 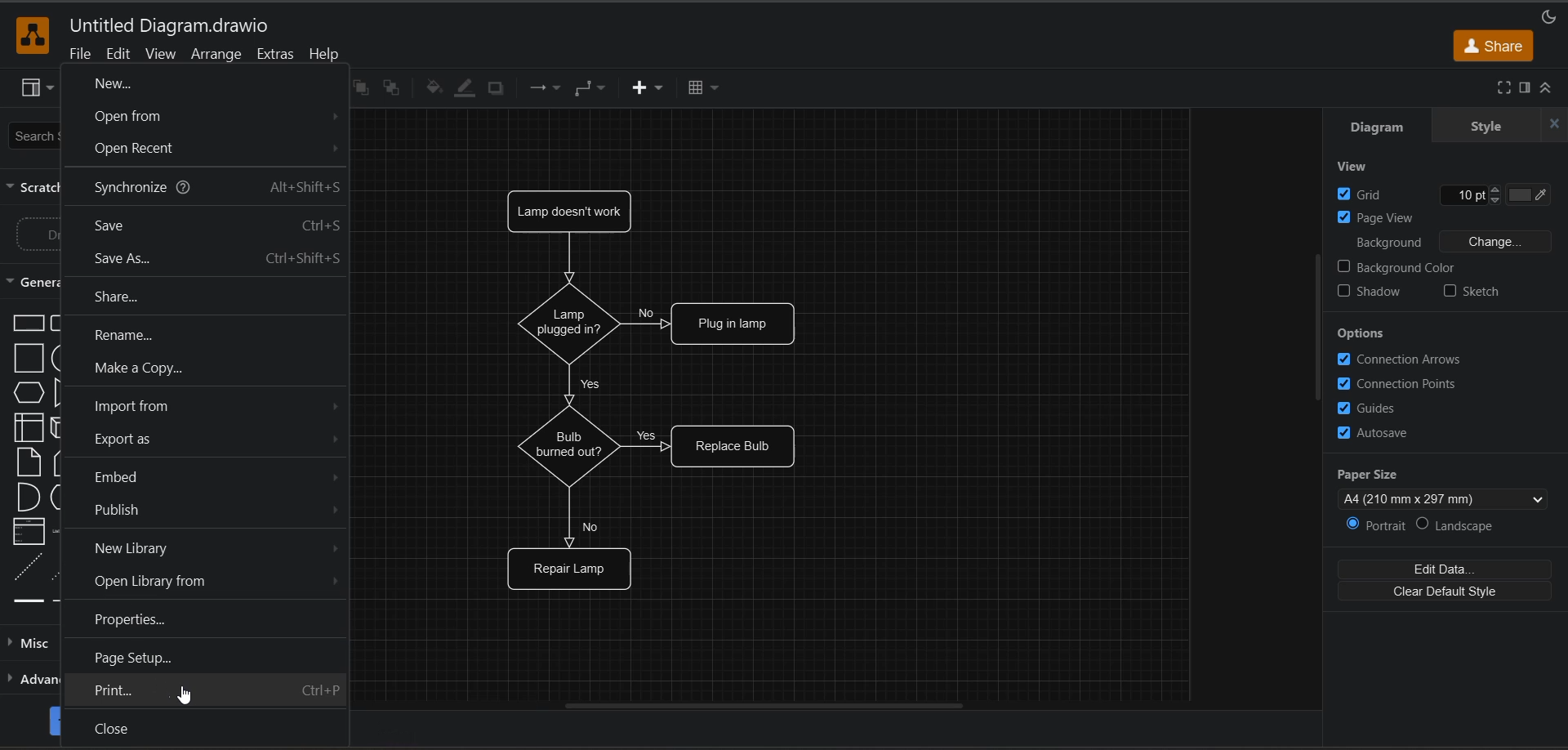 What do you see at coordinates (592, 89) in the screenshot?
I see `waypoints` at bounding box center [592, 89].